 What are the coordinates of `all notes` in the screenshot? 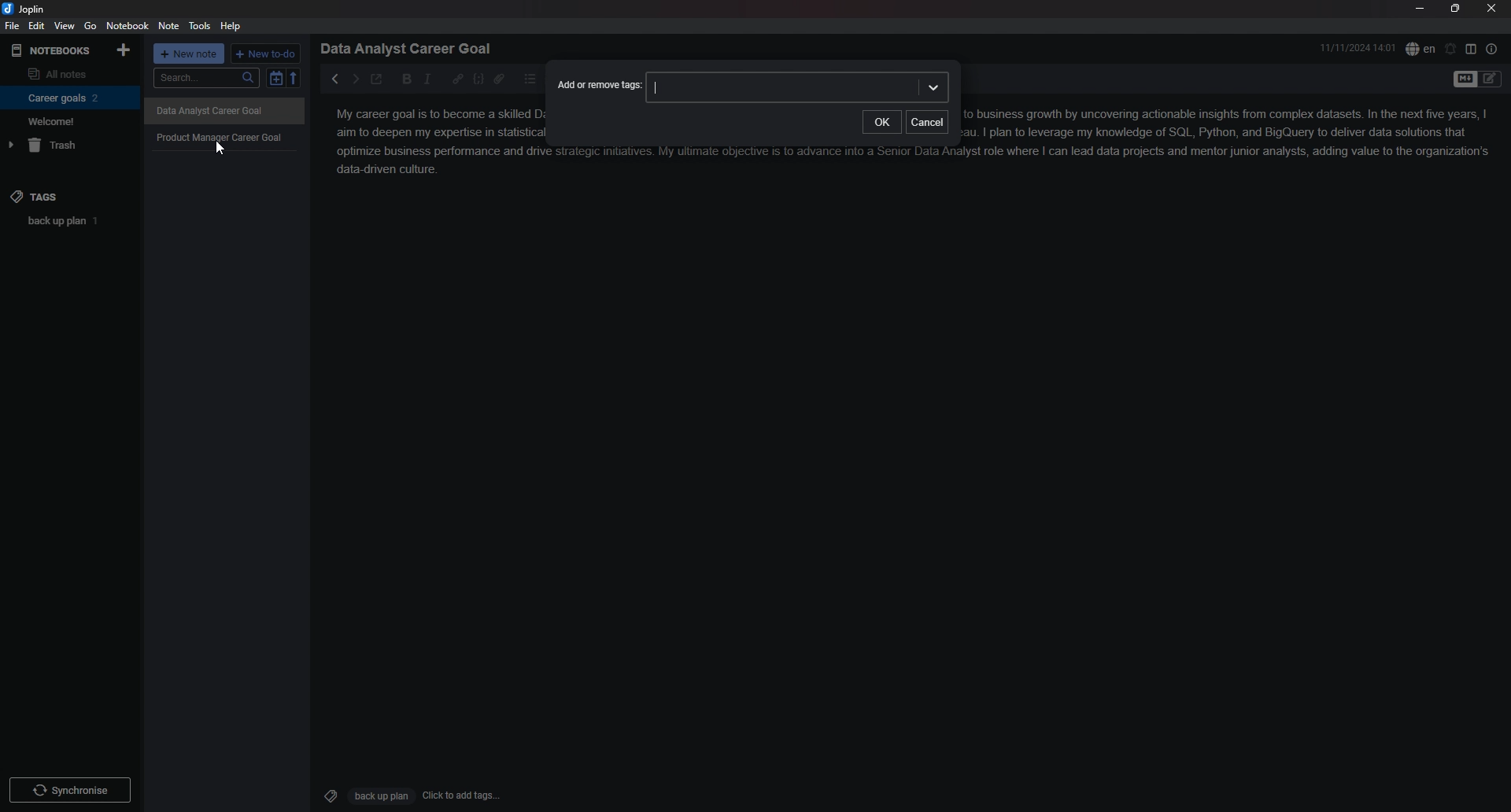 It's located at (67, 72).